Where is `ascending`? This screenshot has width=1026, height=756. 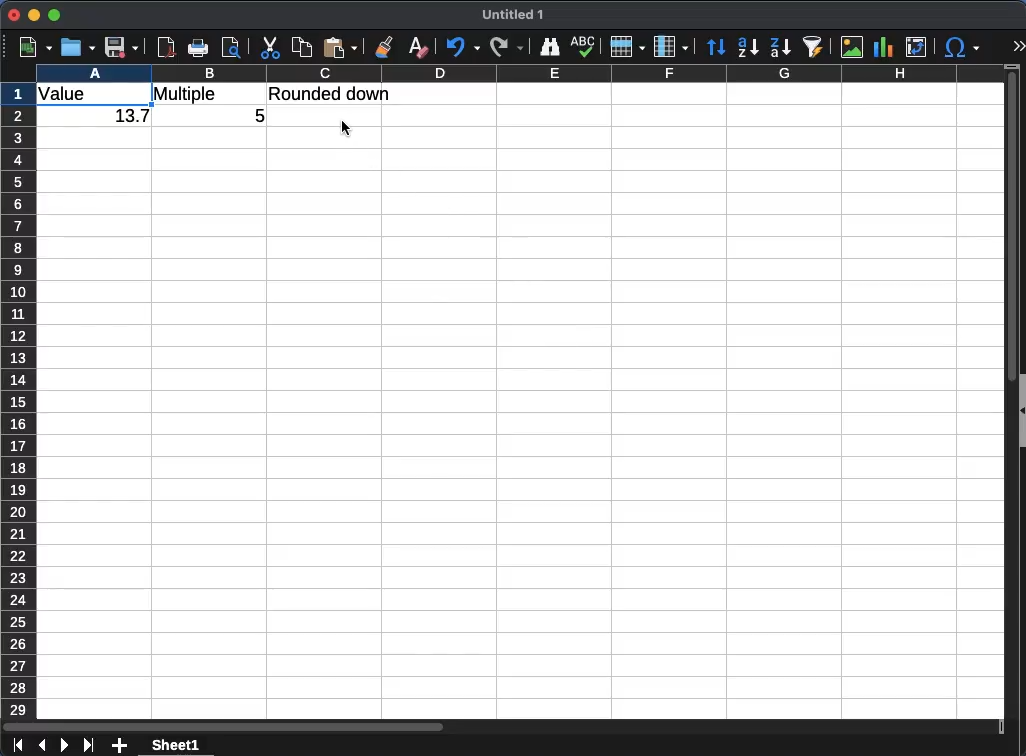
ascending is located at coordinates (748, 47).